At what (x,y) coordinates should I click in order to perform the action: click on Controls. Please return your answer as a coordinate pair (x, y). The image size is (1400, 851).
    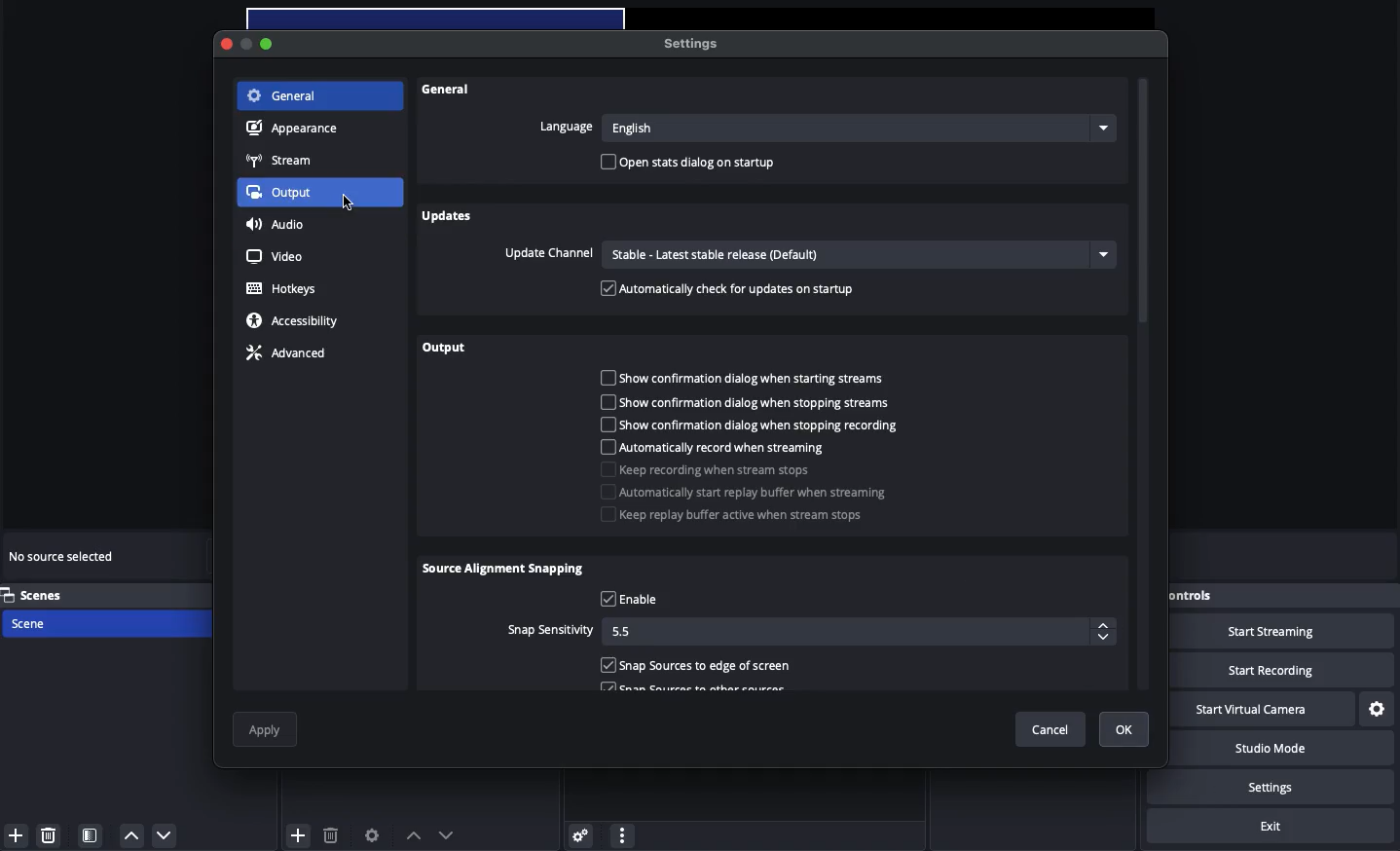
    Looking at the image, I should click on (1185, 596).